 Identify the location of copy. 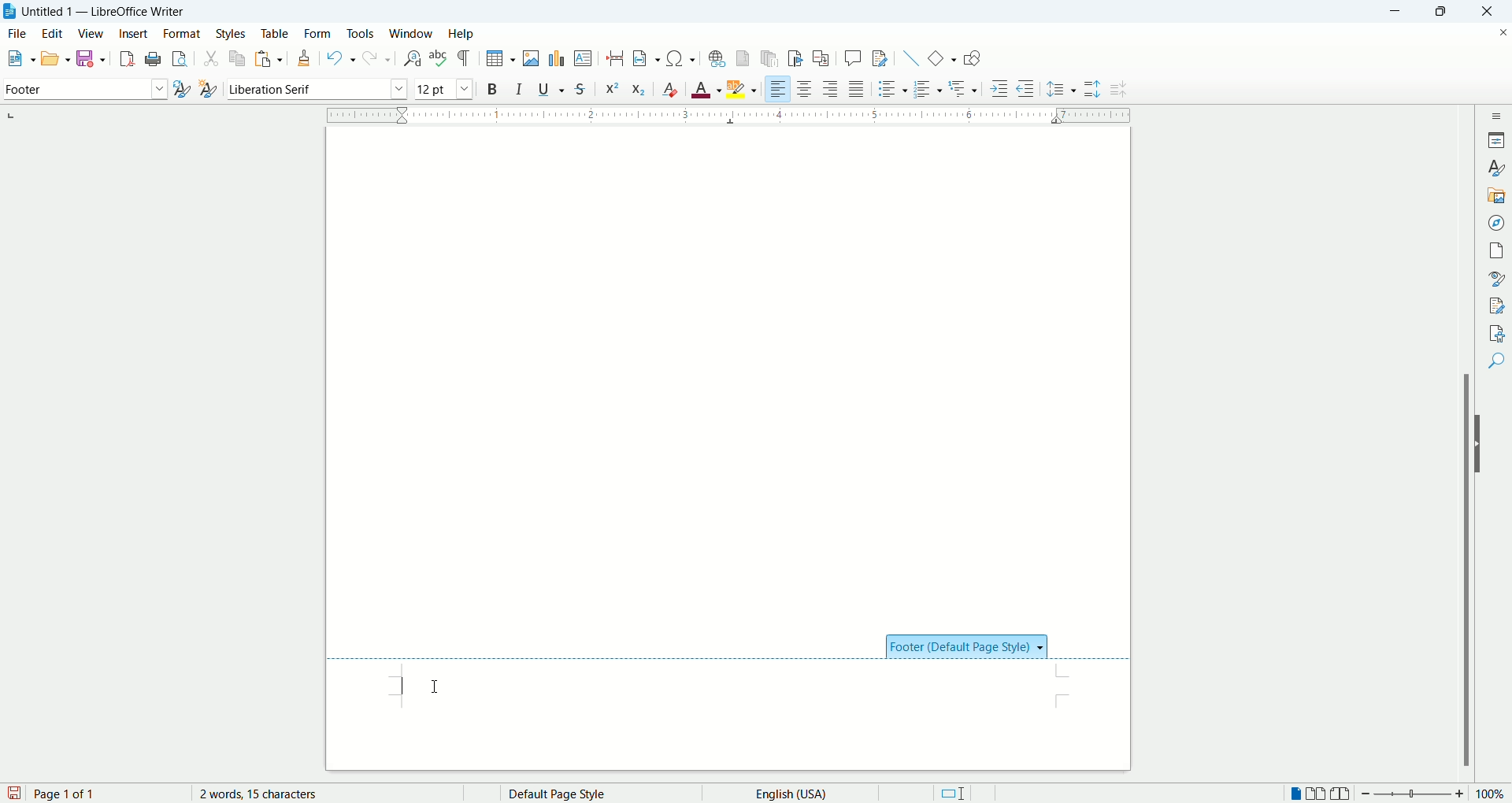
(239, 57).